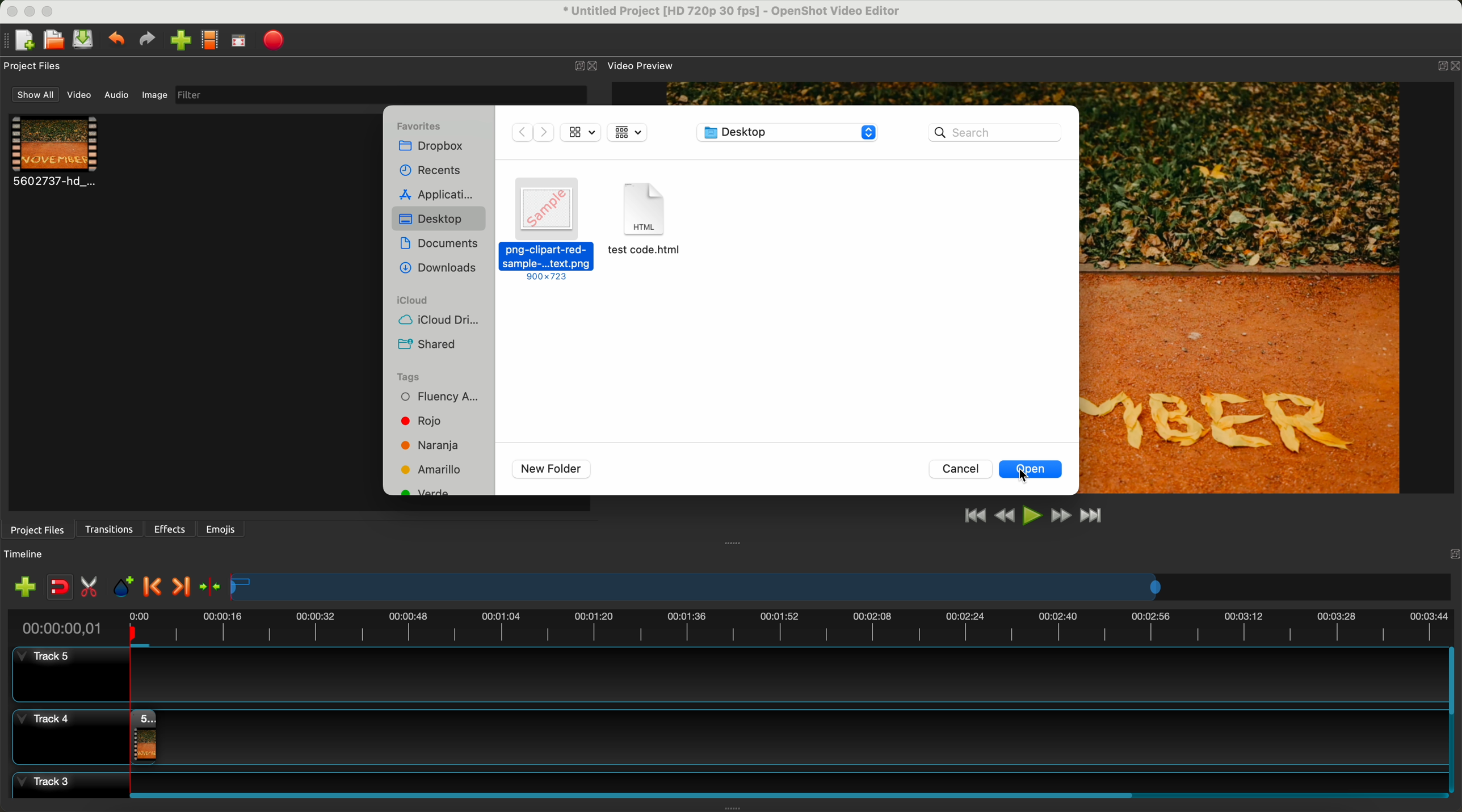 The image size is (1462, 812). Describe the element at coordinates (1093, 517) in the screenshot. I see `jump to end` at that location.